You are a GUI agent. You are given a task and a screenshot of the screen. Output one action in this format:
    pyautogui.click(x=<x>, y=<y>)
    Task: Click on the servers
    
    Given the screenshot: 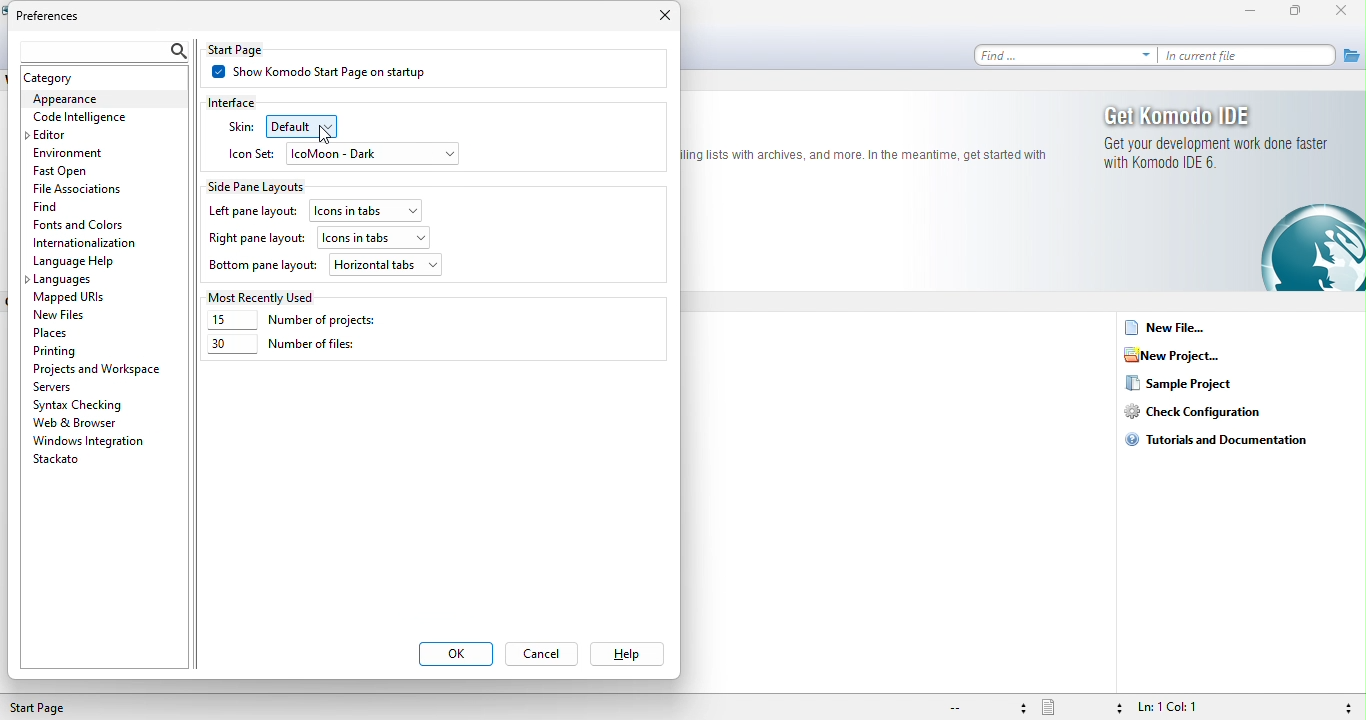 What is the action you would take?
    pyautogui.click(x=60, y=387)
    